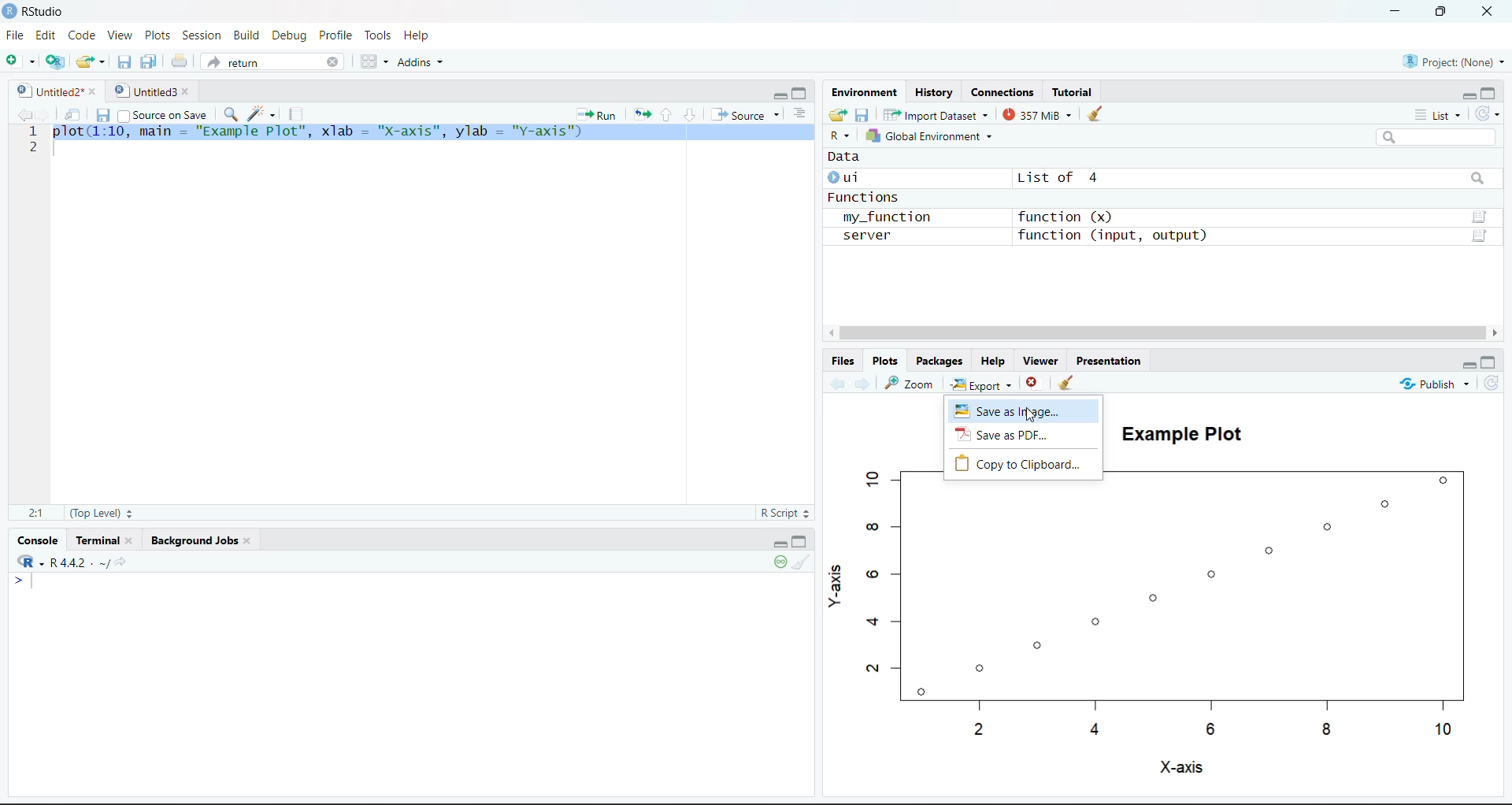 The width and height of the screenshot is (1512, 805). What do you see at coordinates (1030, 414) in the screenshot?
I see `Cursor` at bounding box center [1030, 414].